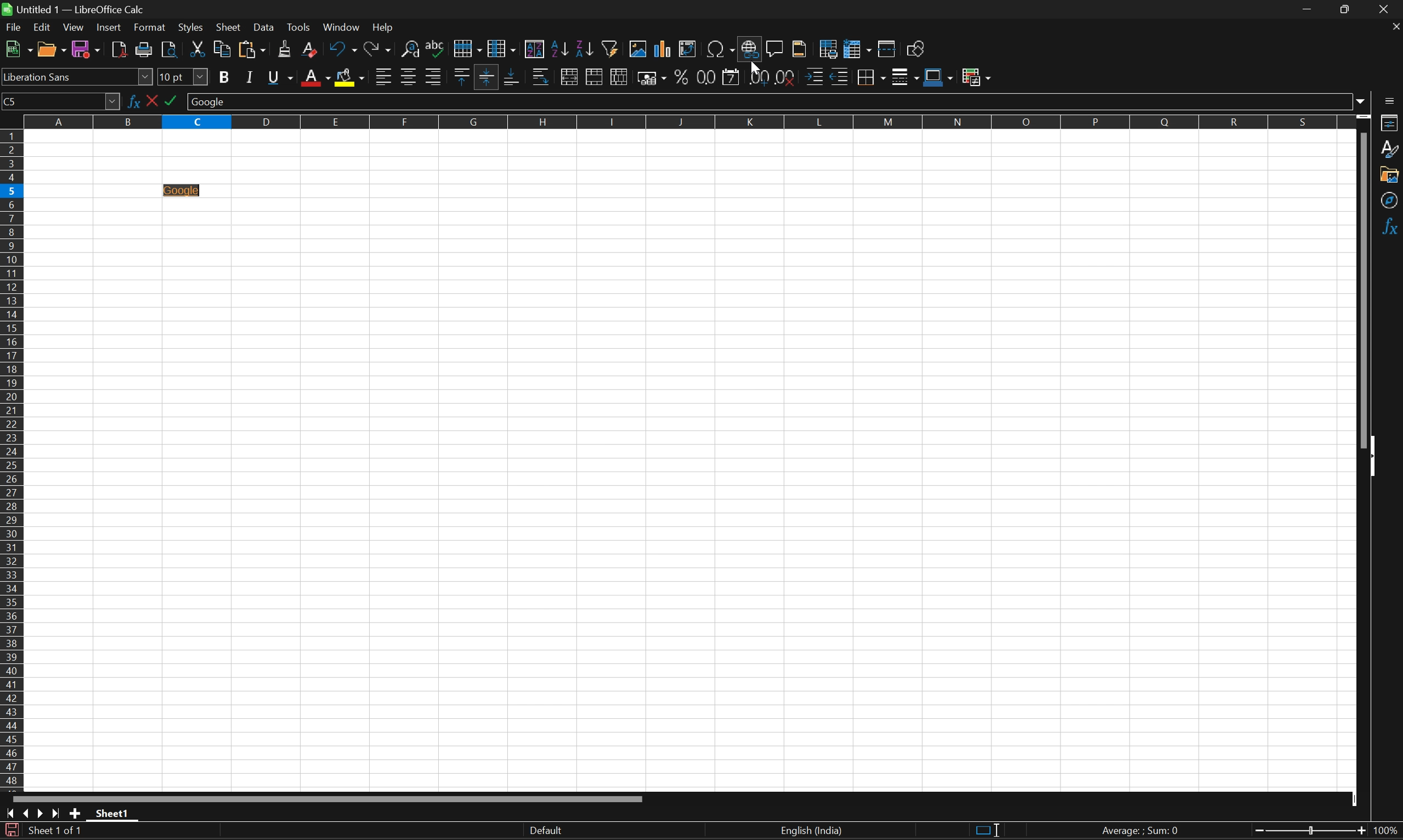 This screenshot has width=1403, height=840. What do you see at coordinates (467, 45) in the screenshot?
I see `Row` at bounding box center [467, 45].